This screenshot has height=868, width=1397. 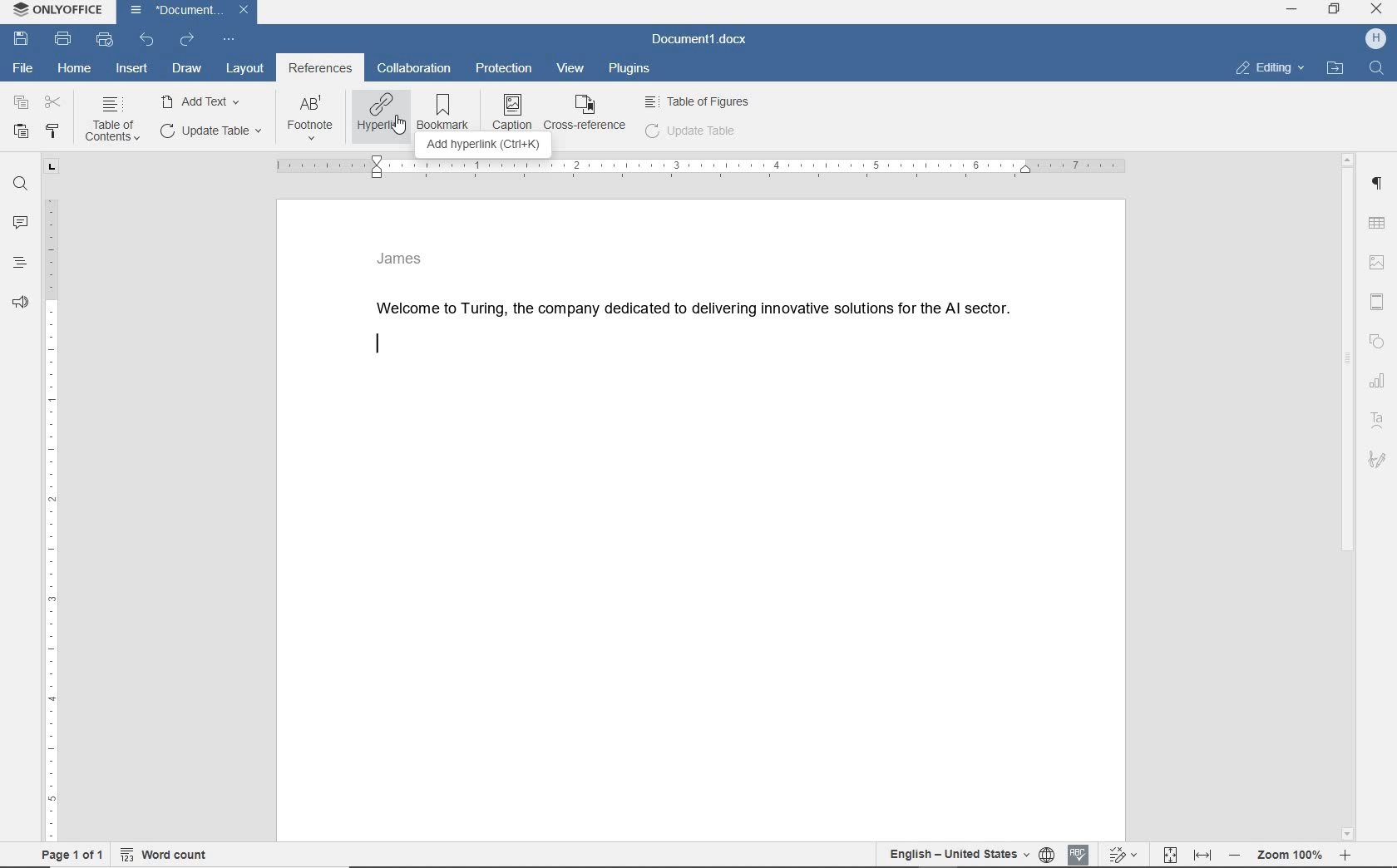 What do you see at coordinates (1379, 461) in the screenshot?
I see `Signature` at bounding box center [1379, 461].